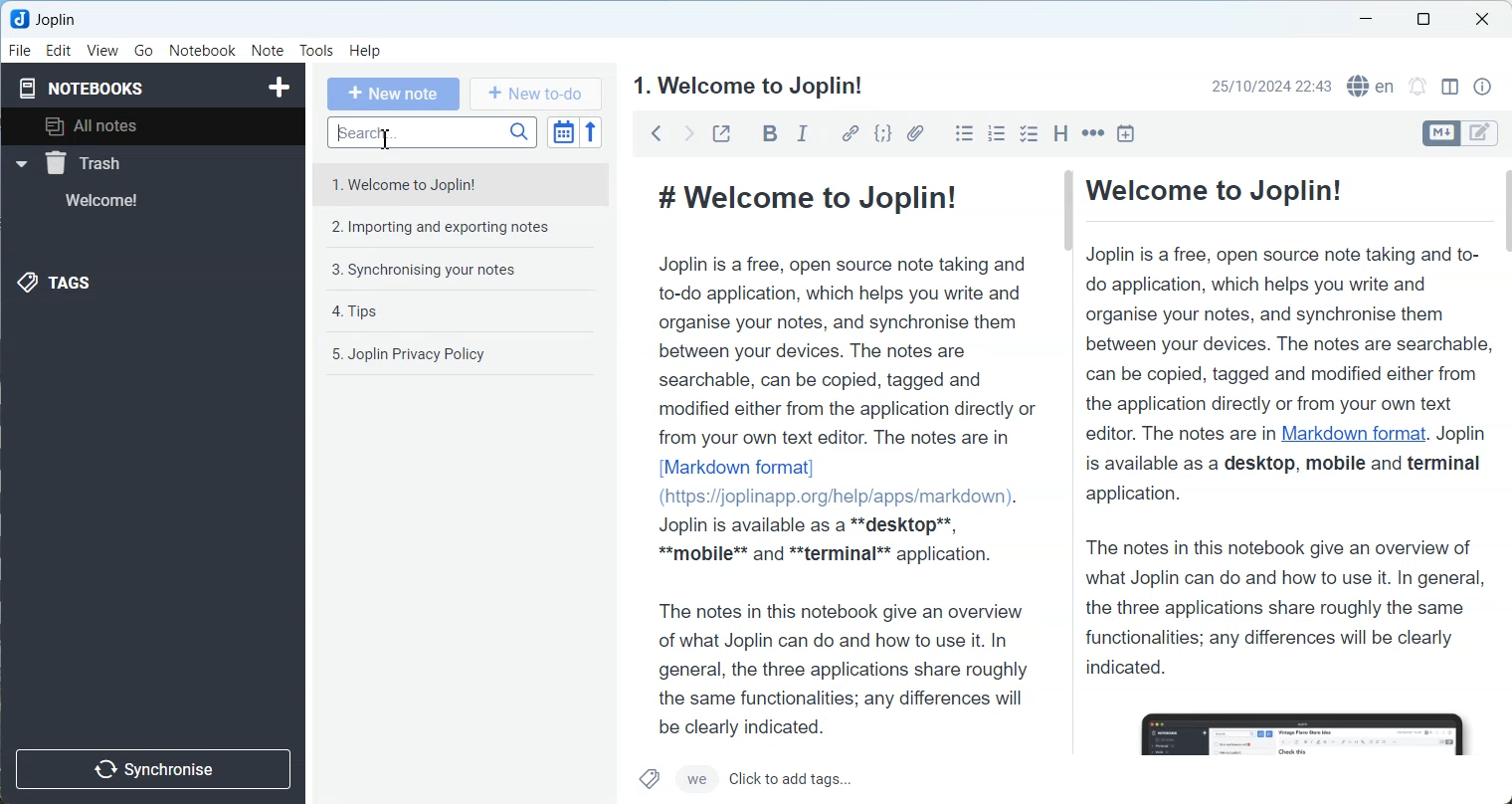  I want to click on Toggle external editing, so click(721, 132).